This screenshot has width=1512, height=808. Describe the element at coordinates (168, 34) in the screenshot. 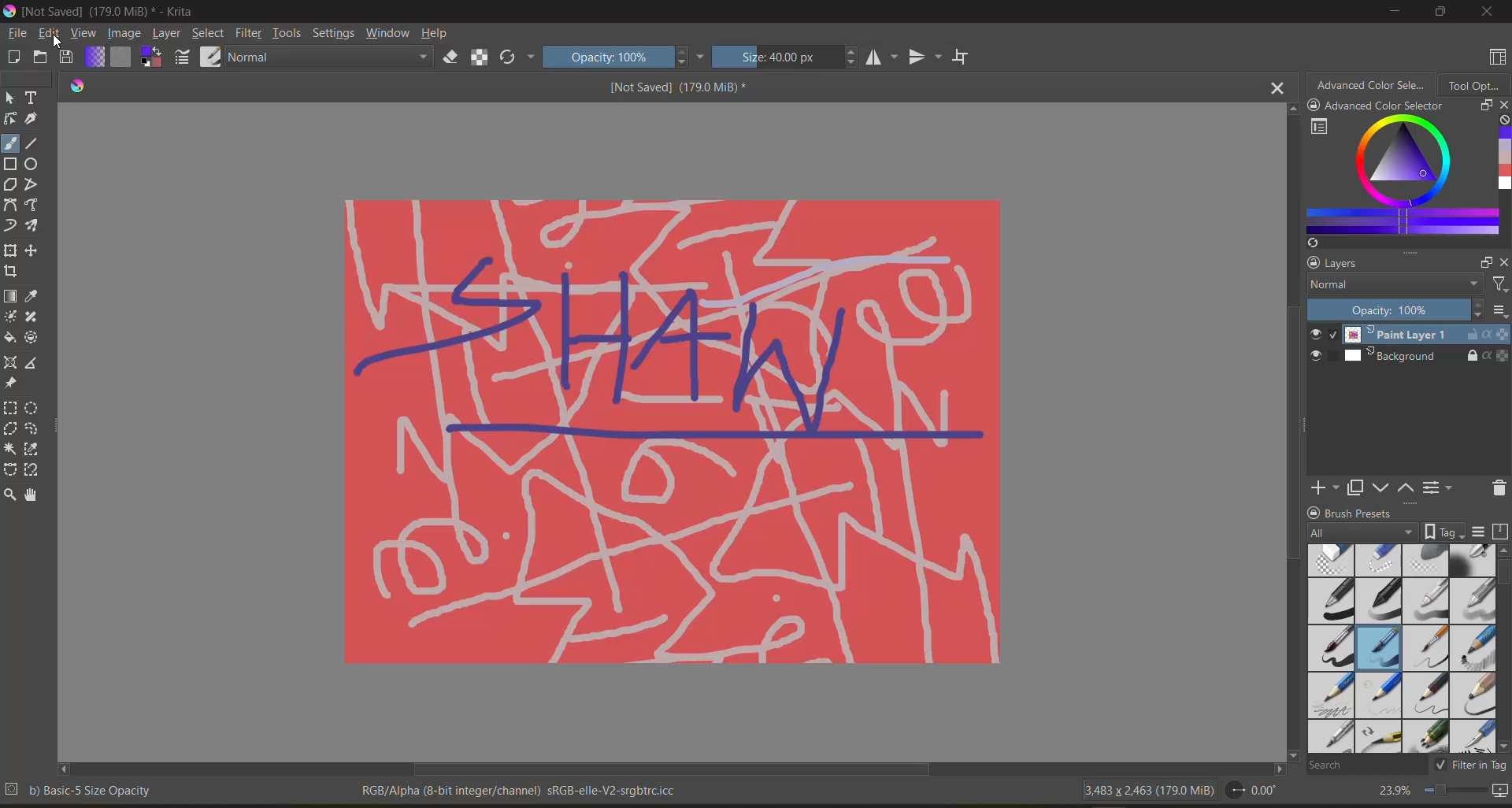

I see `layer` at that location.